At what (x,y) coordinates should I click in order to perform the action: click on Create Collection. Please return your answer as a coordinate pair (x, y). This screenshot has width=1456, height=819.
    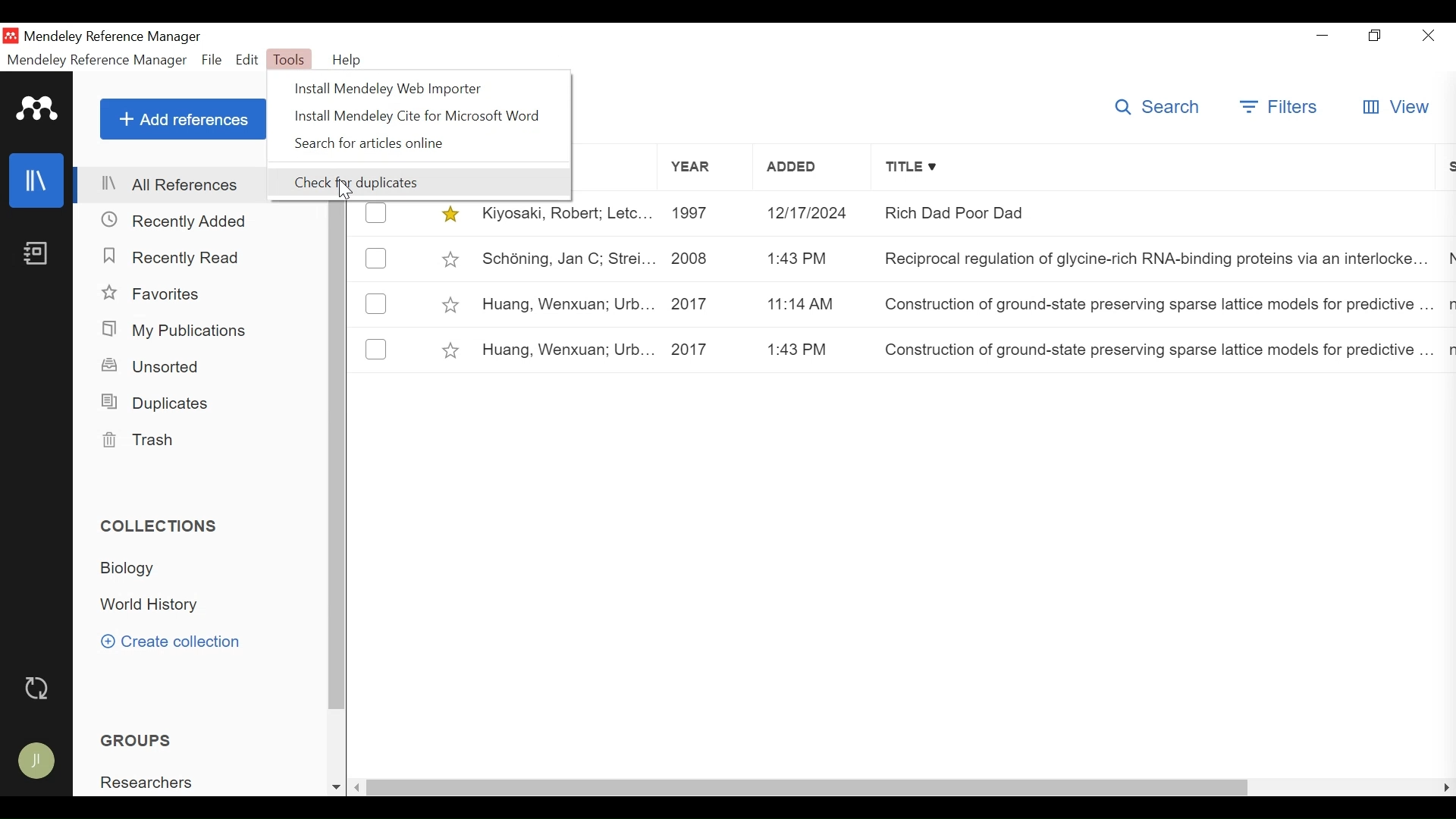
    Looking at the image, I should click on (169, 643).